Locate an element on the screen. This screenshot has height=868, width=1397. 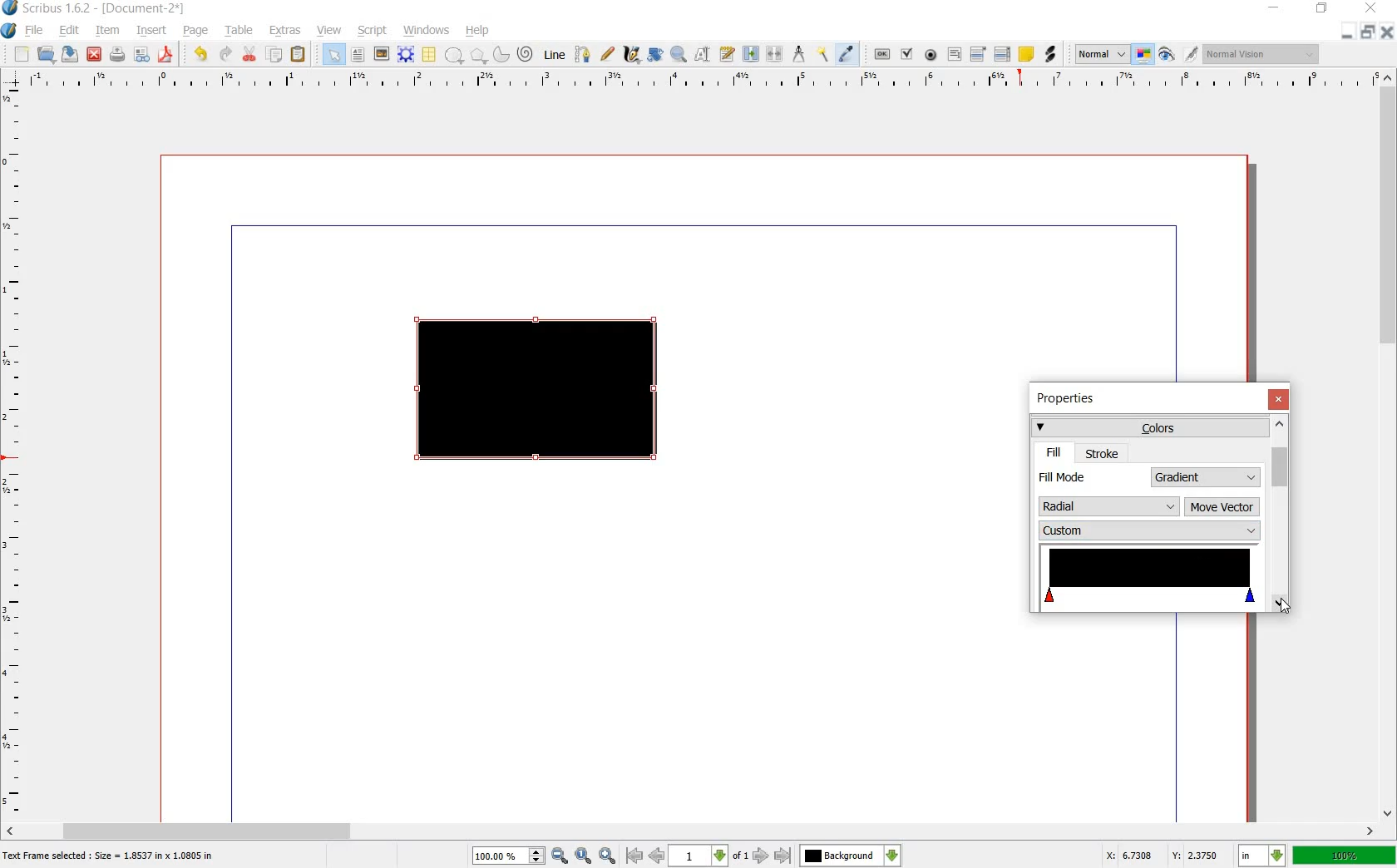
image frame is located at coordinates (380, 54).